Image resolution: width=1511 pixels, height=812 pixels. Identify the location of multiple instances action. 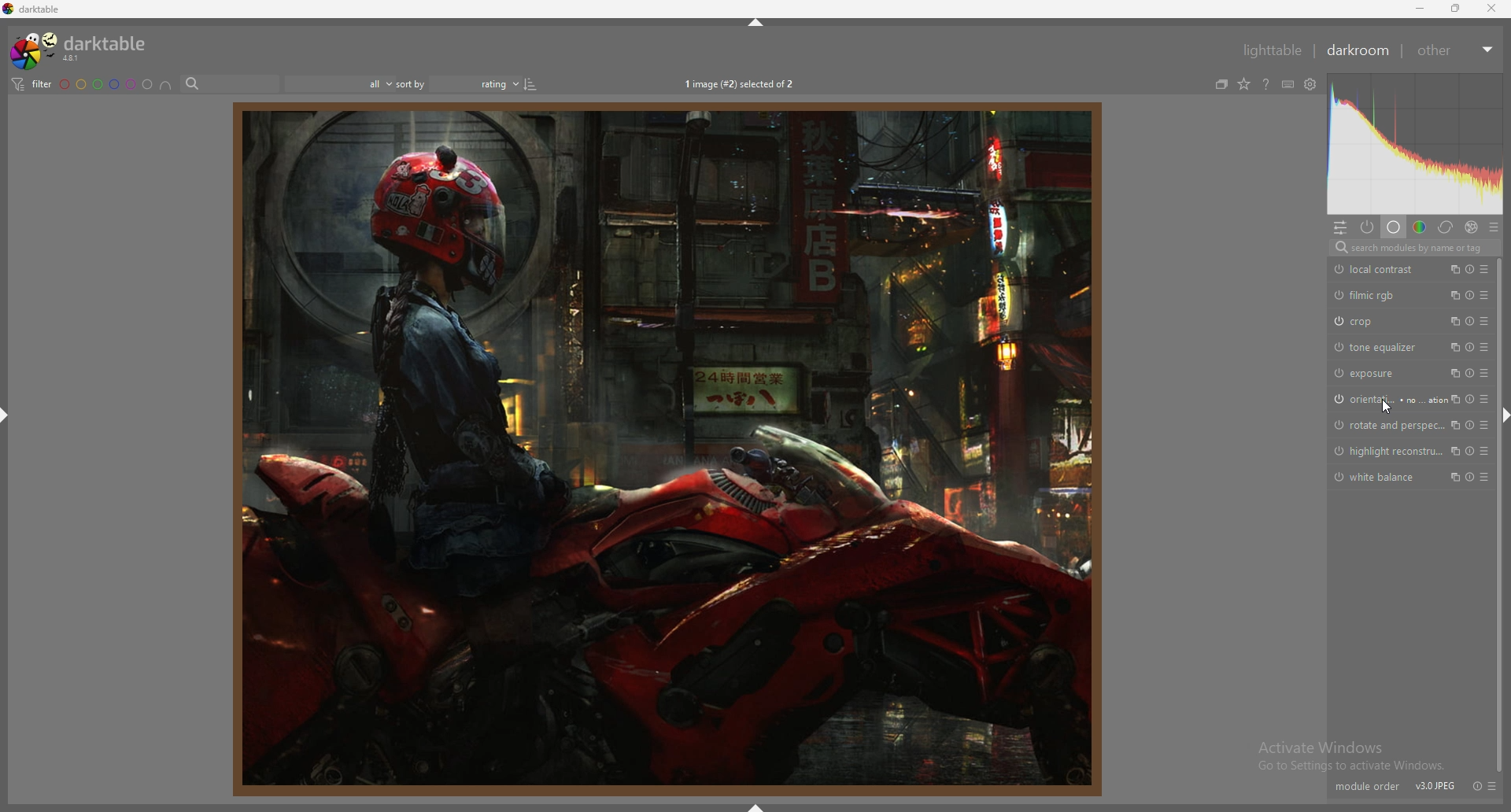
(1452, 294).